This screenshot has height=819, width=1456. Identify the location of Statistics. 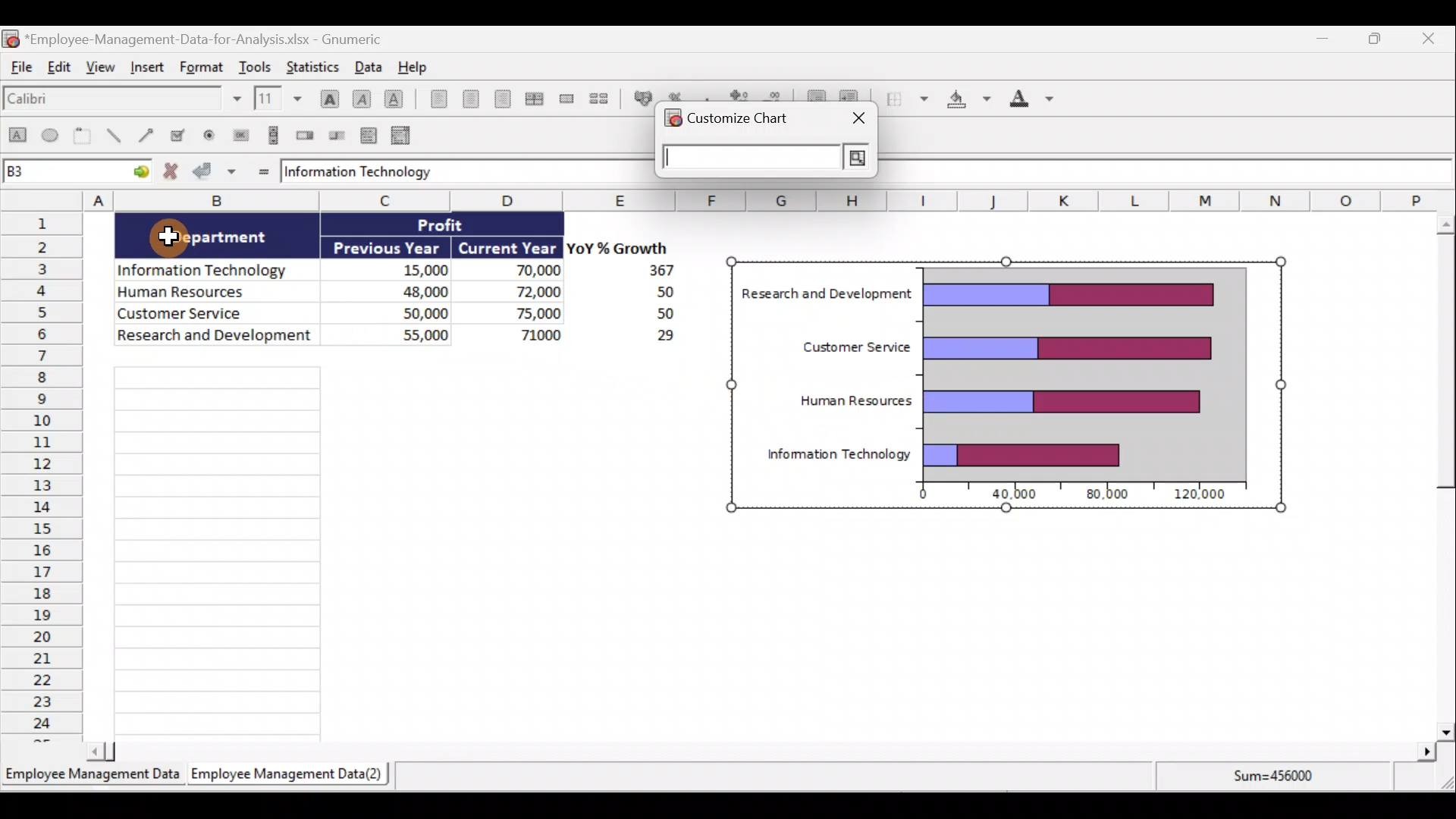
(312, 64).